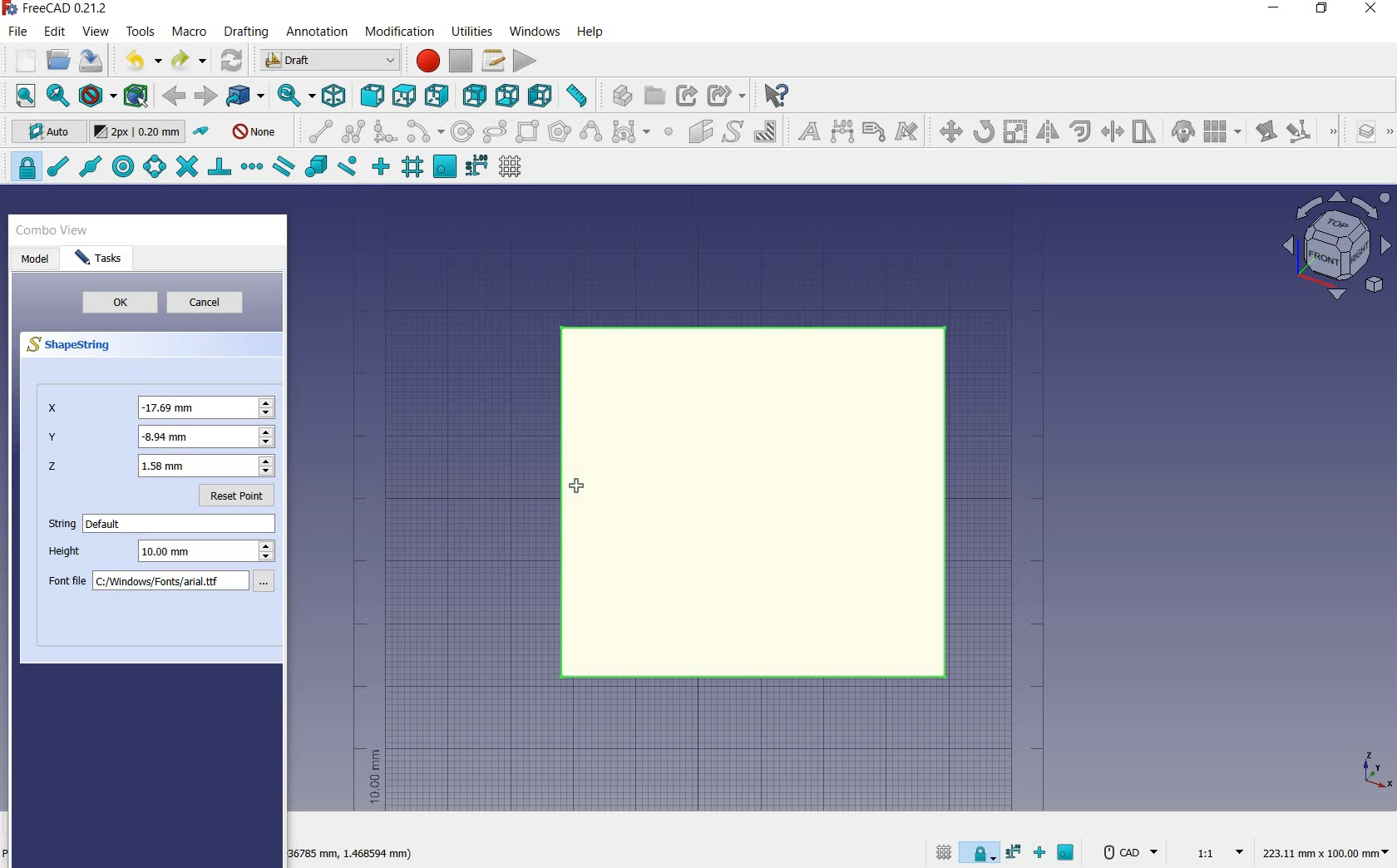 This screenshot has height=868, width=1397. Describe the element at coordinates (560, 131) in the screenshot. I see `polygon` at that location.